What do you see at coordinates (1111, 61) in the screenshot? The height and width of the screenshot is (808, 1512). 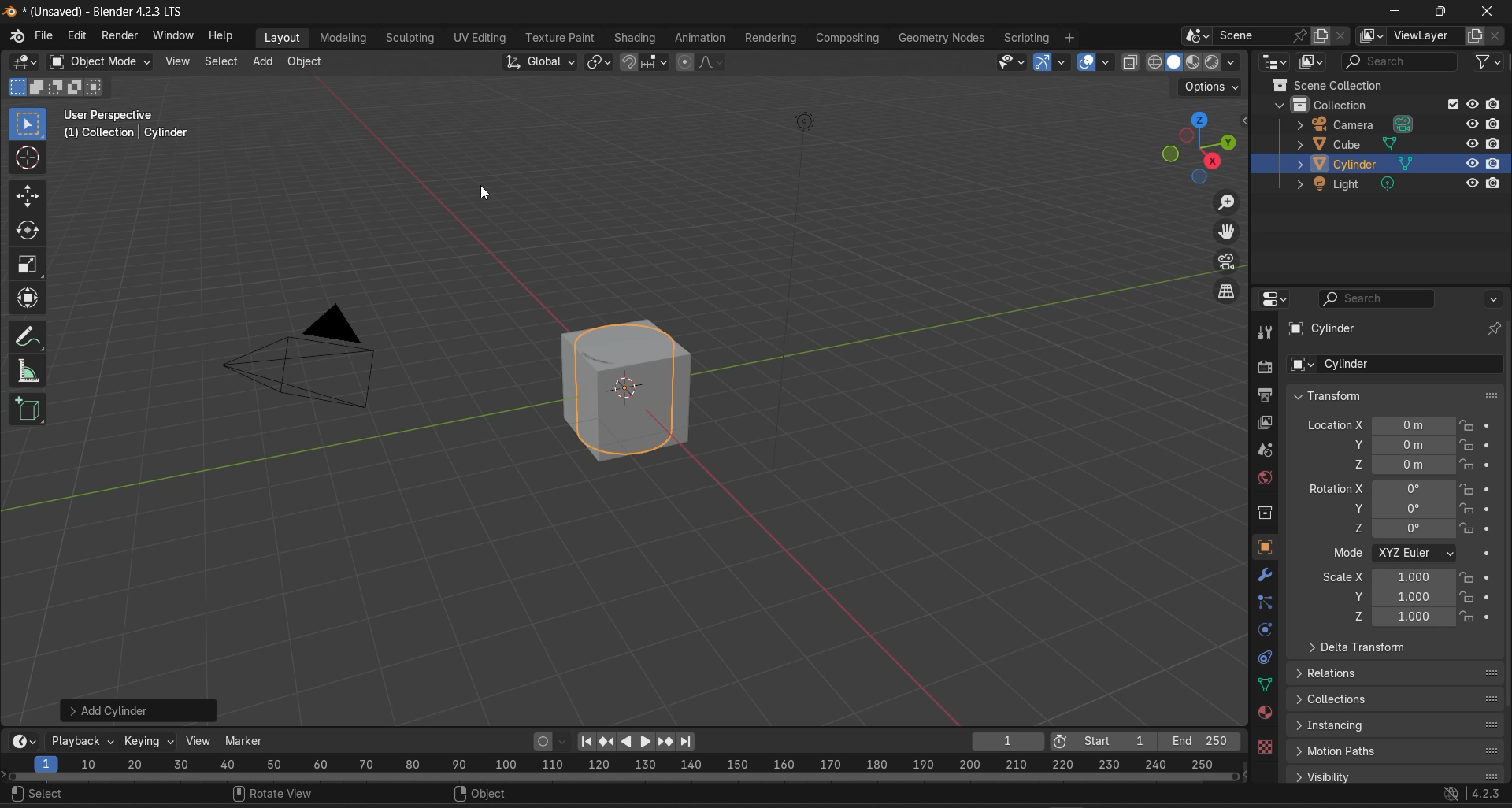 I see `overlays` at bounding box center [1111, 61].